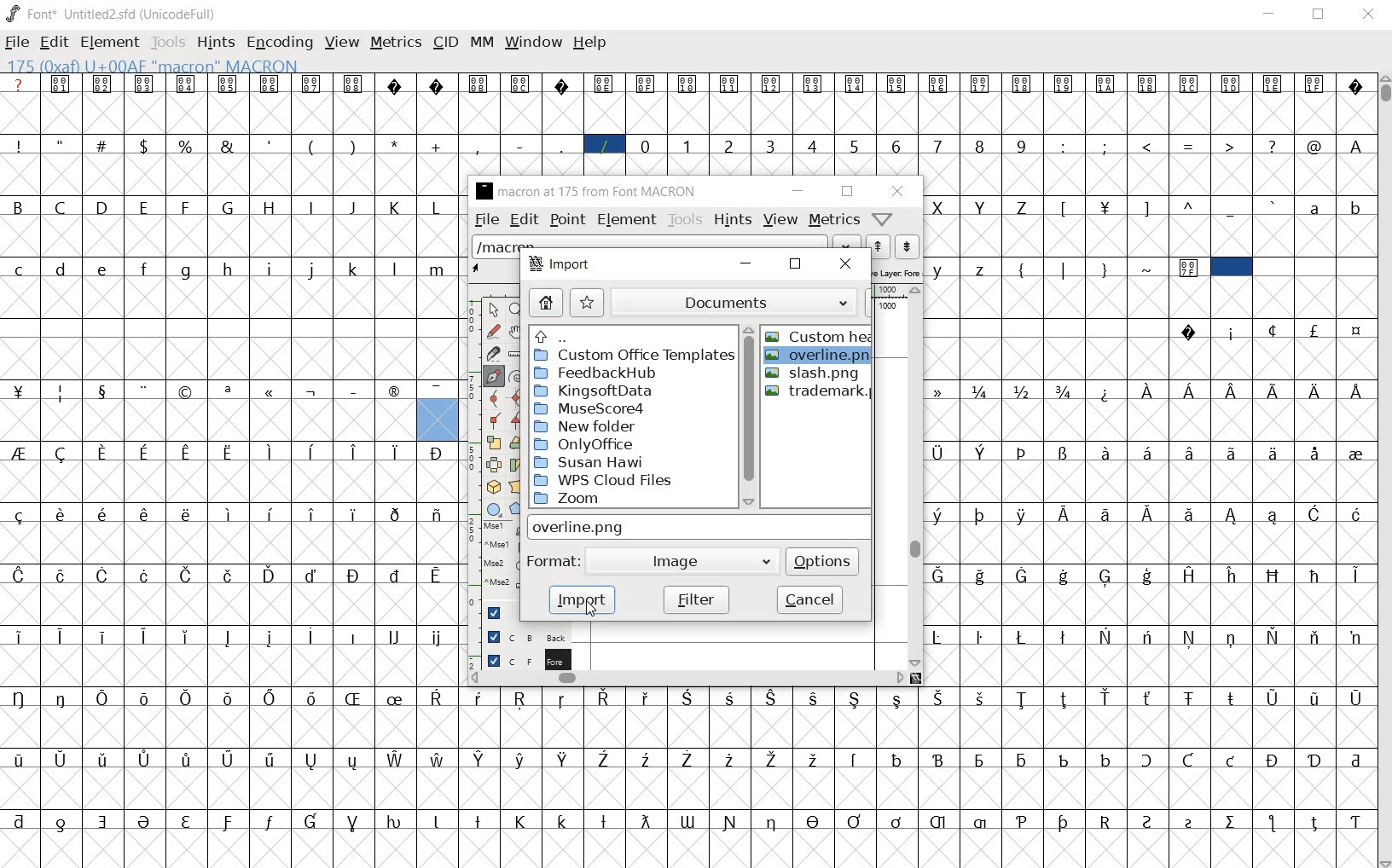 The image size is (1392, 868). I want to click on Symbol, so click(524, 819).